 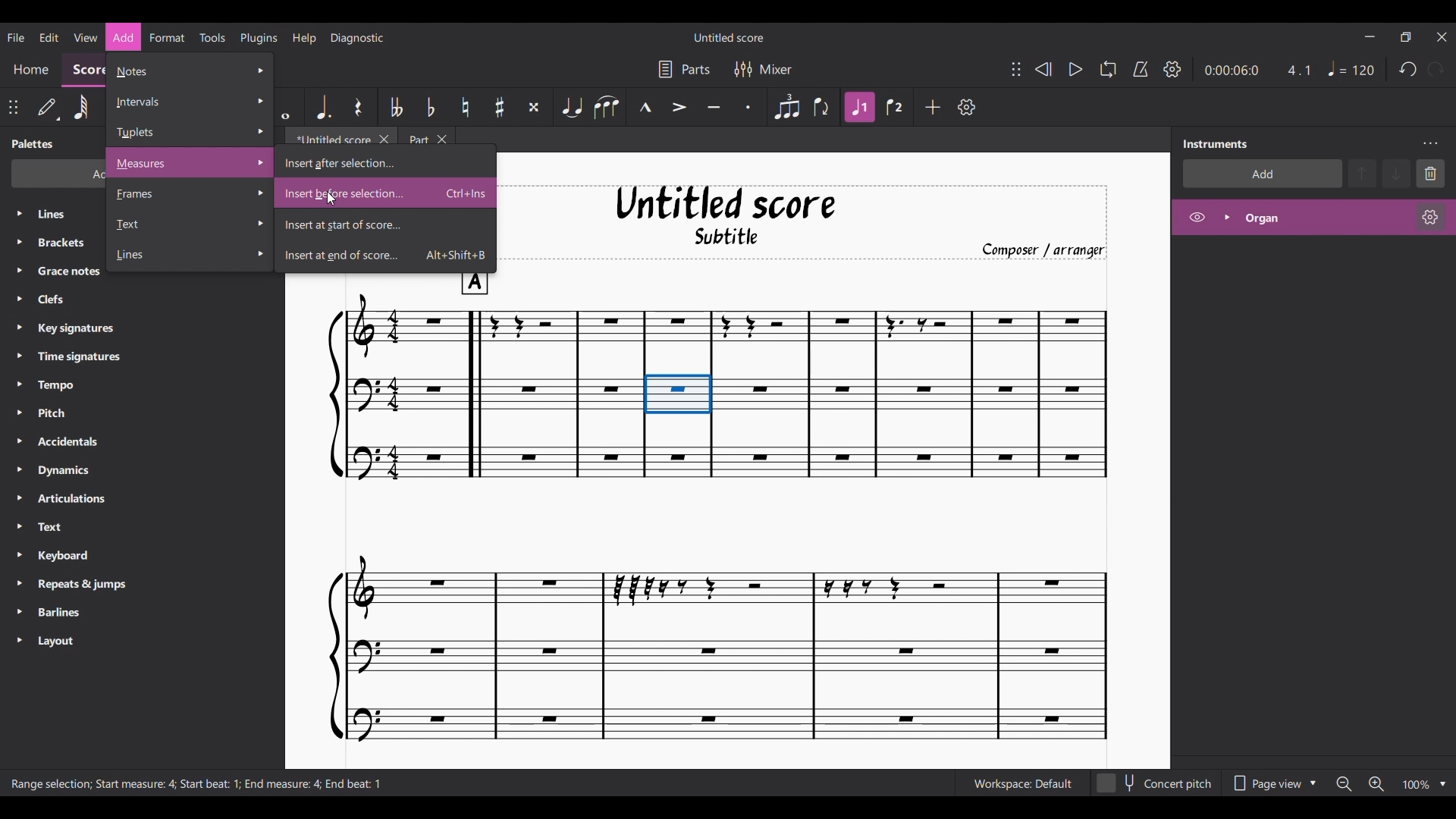 I want to click on Tie, so click(x=572, y=108).